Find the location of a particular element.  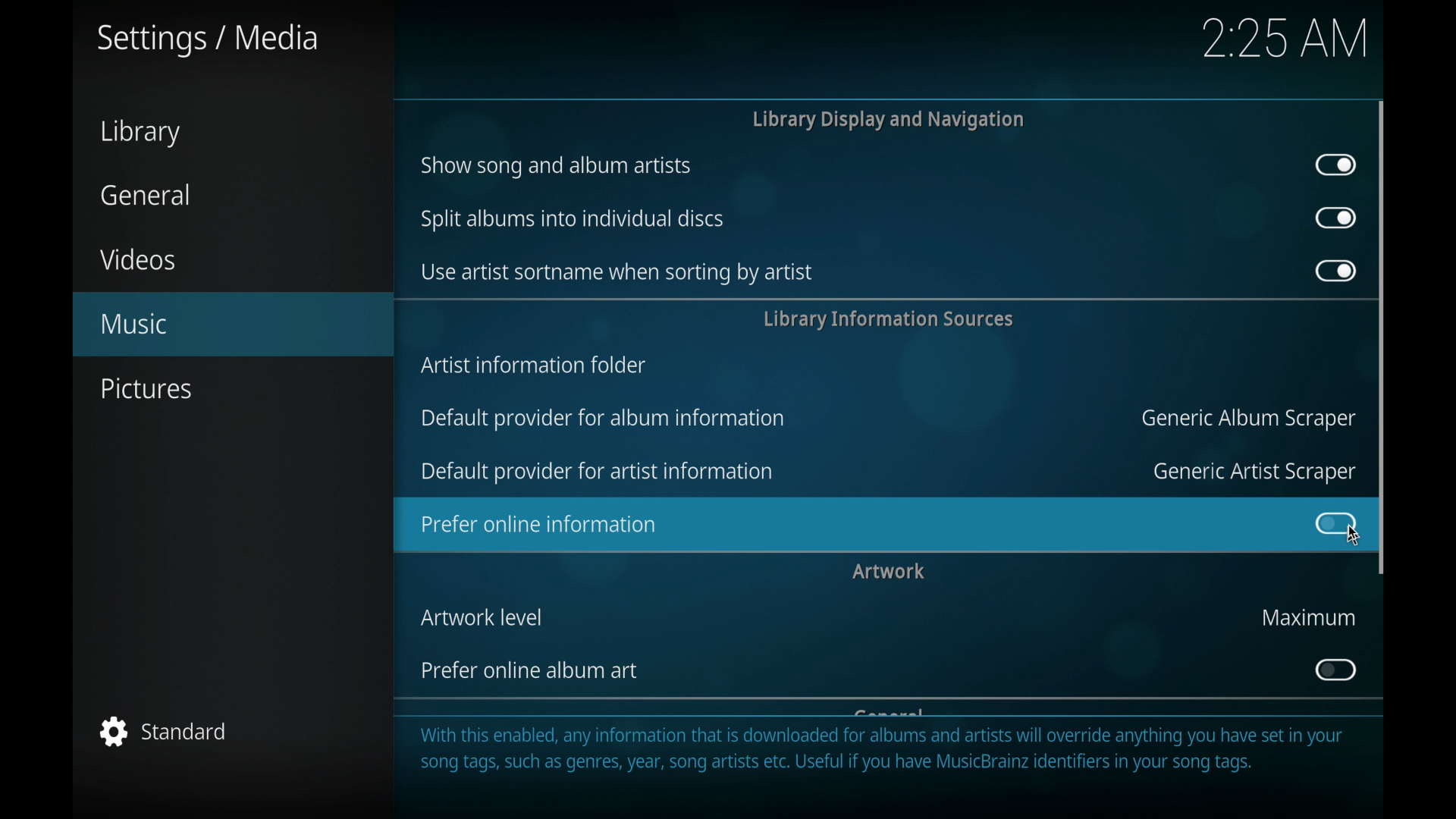

cursor is located at coordinates (1351, 535).